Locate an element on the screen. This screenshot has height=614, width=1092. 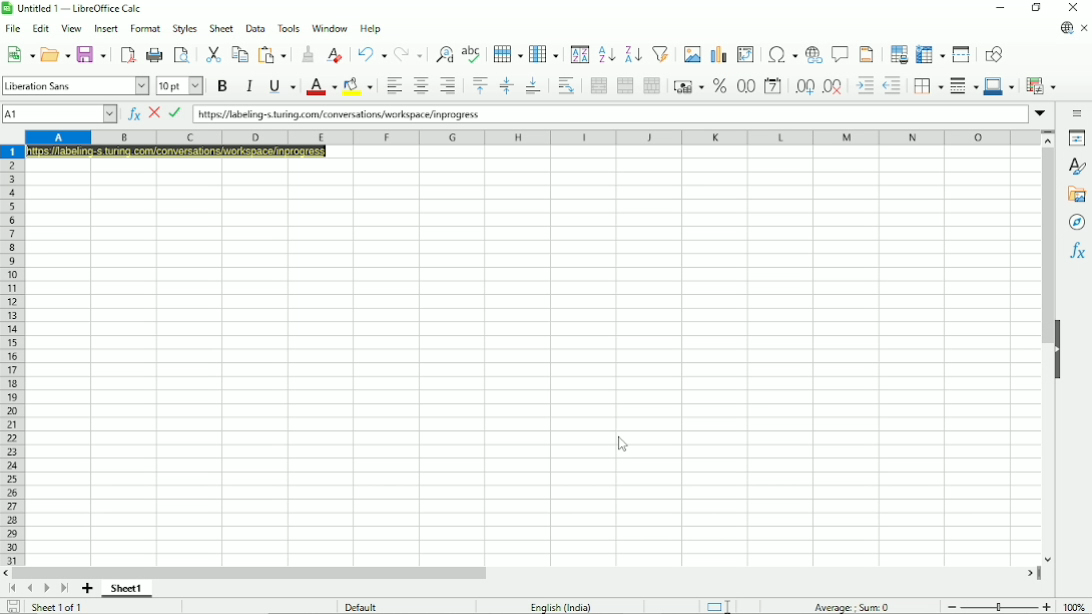
Print is located at coordinates (155, 54).